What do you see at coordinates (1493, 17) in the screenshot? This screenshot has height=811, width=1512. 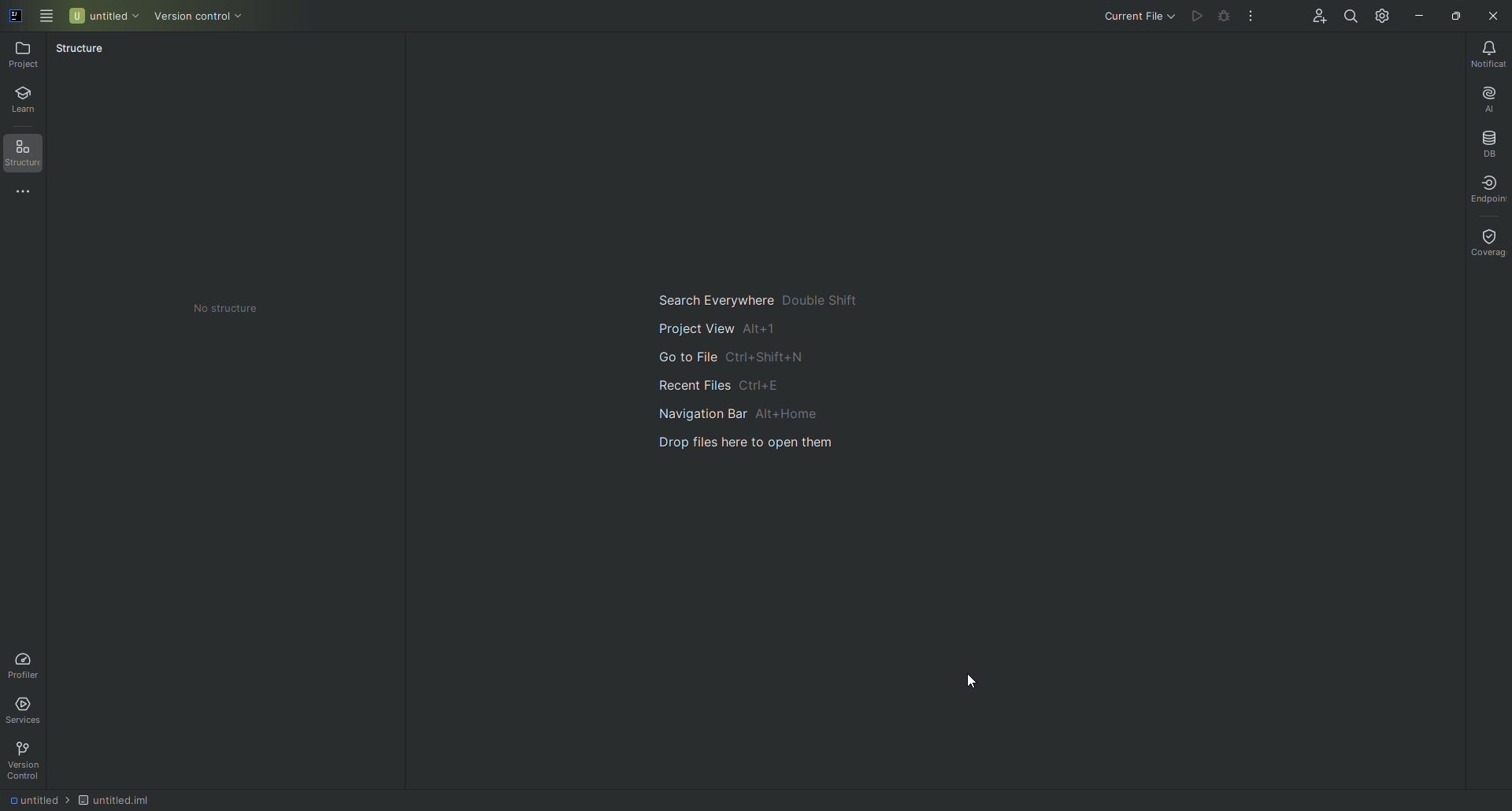 I see `Close` at bounding box center [1493, 17].